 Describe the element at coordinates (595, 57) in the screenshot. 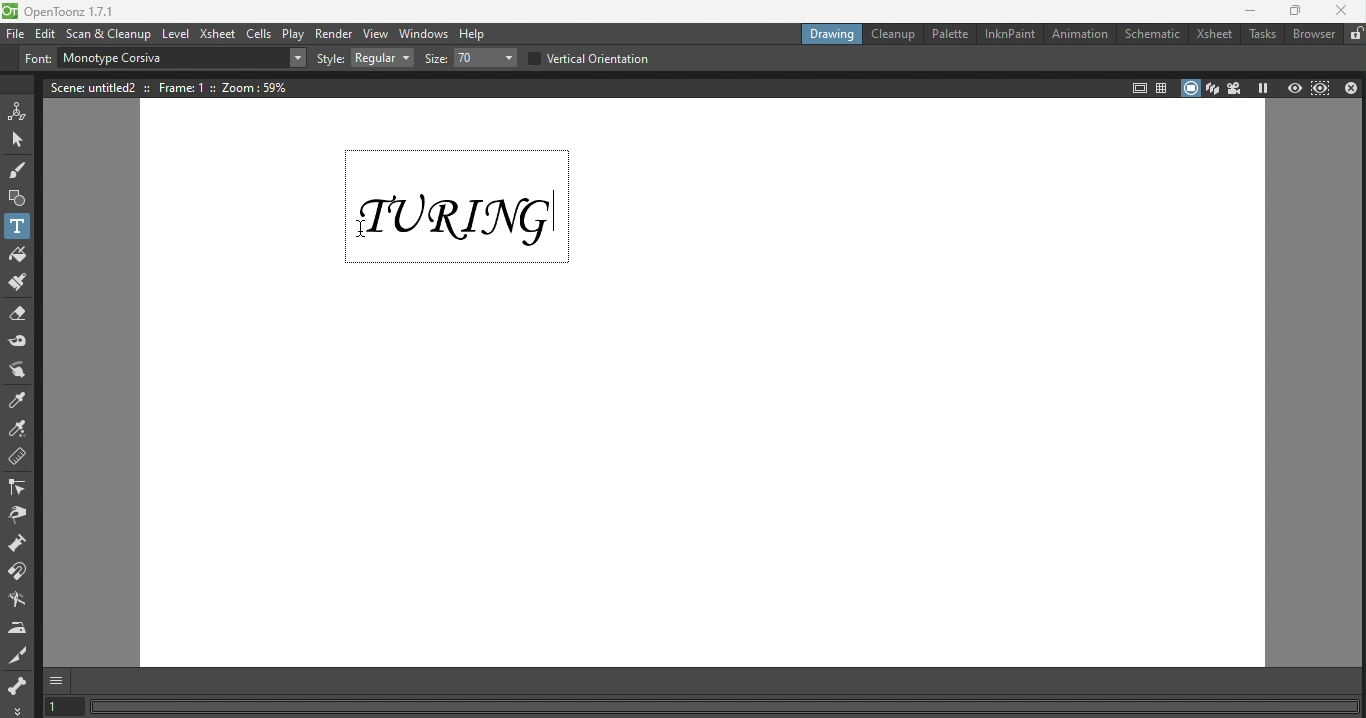

I see `Vertical orientation` at that location.